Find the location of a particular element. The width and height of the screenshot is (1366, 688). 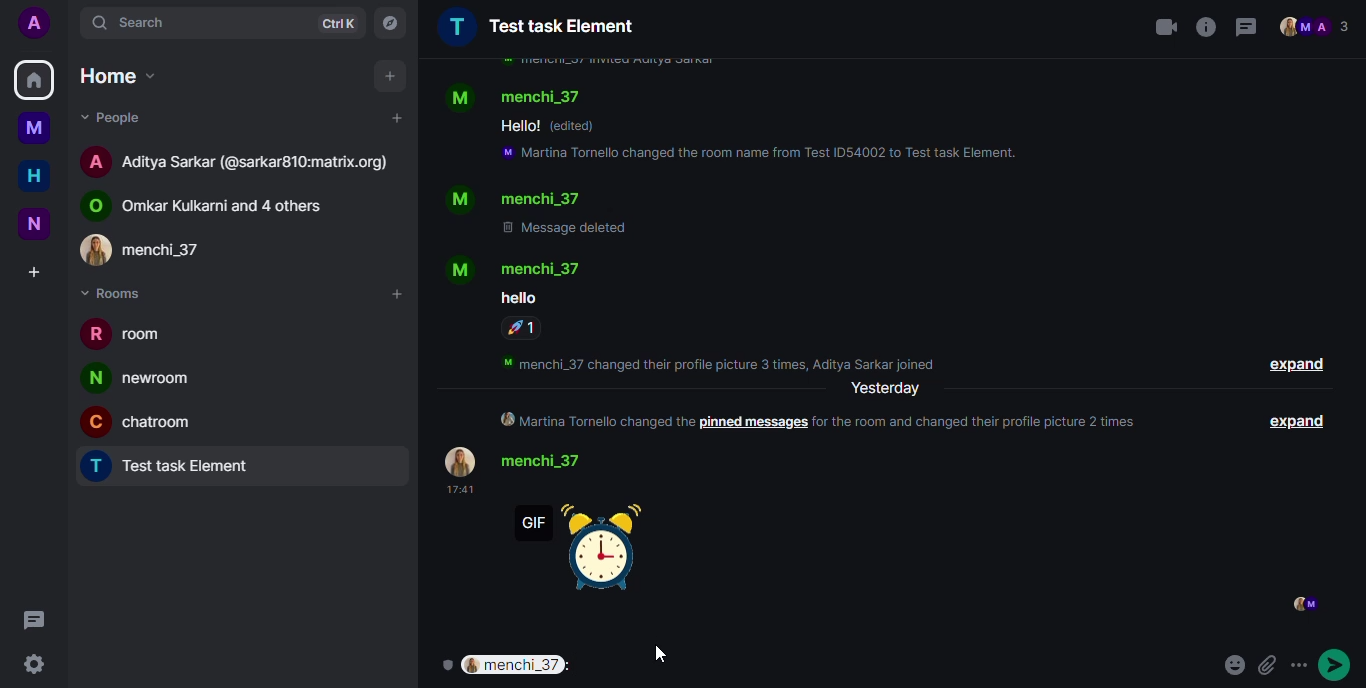

encryption is located at coordinates (444, 663).